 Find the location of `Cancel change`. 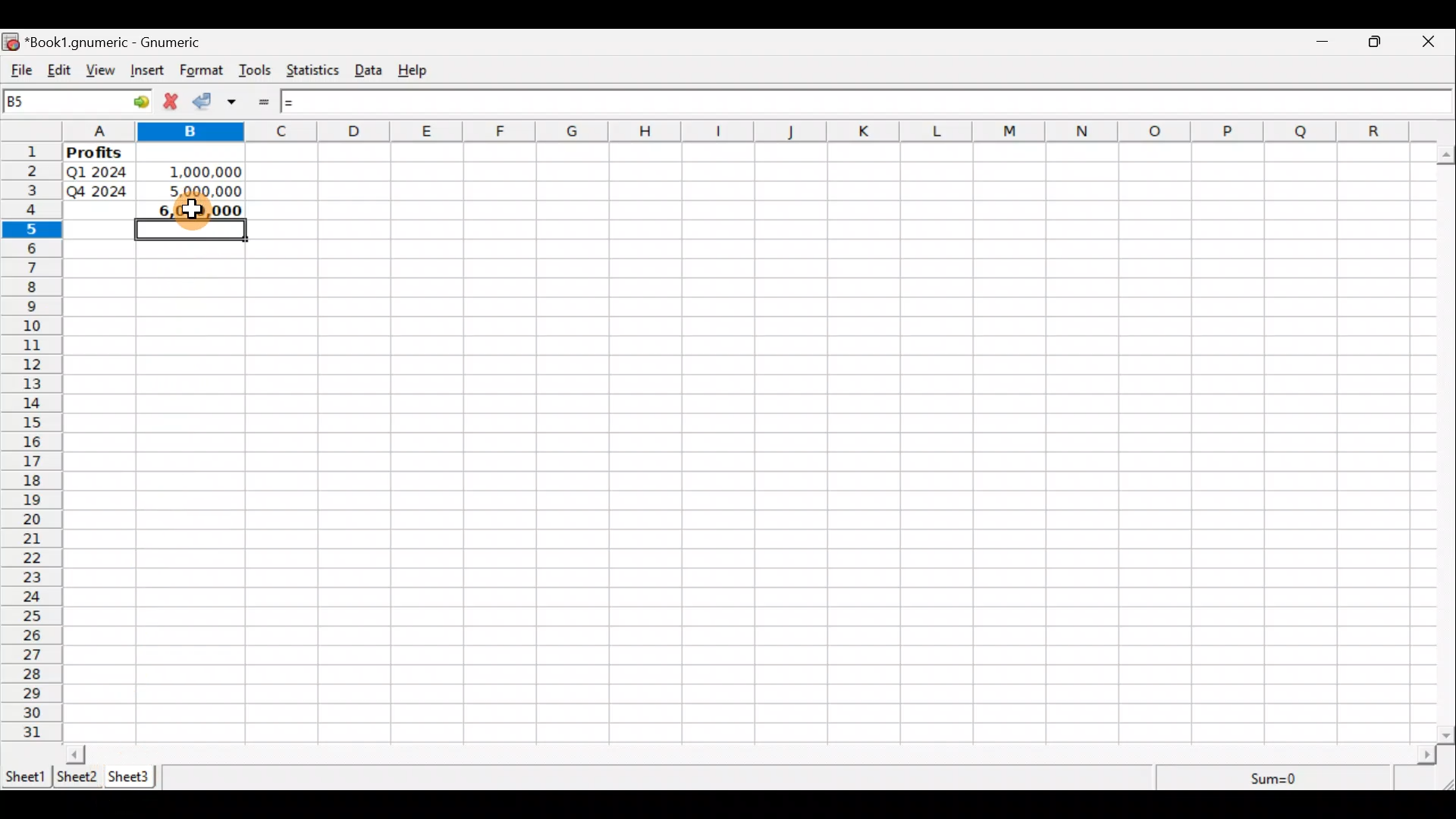

Cancel change is located at coordinates (174, 103).